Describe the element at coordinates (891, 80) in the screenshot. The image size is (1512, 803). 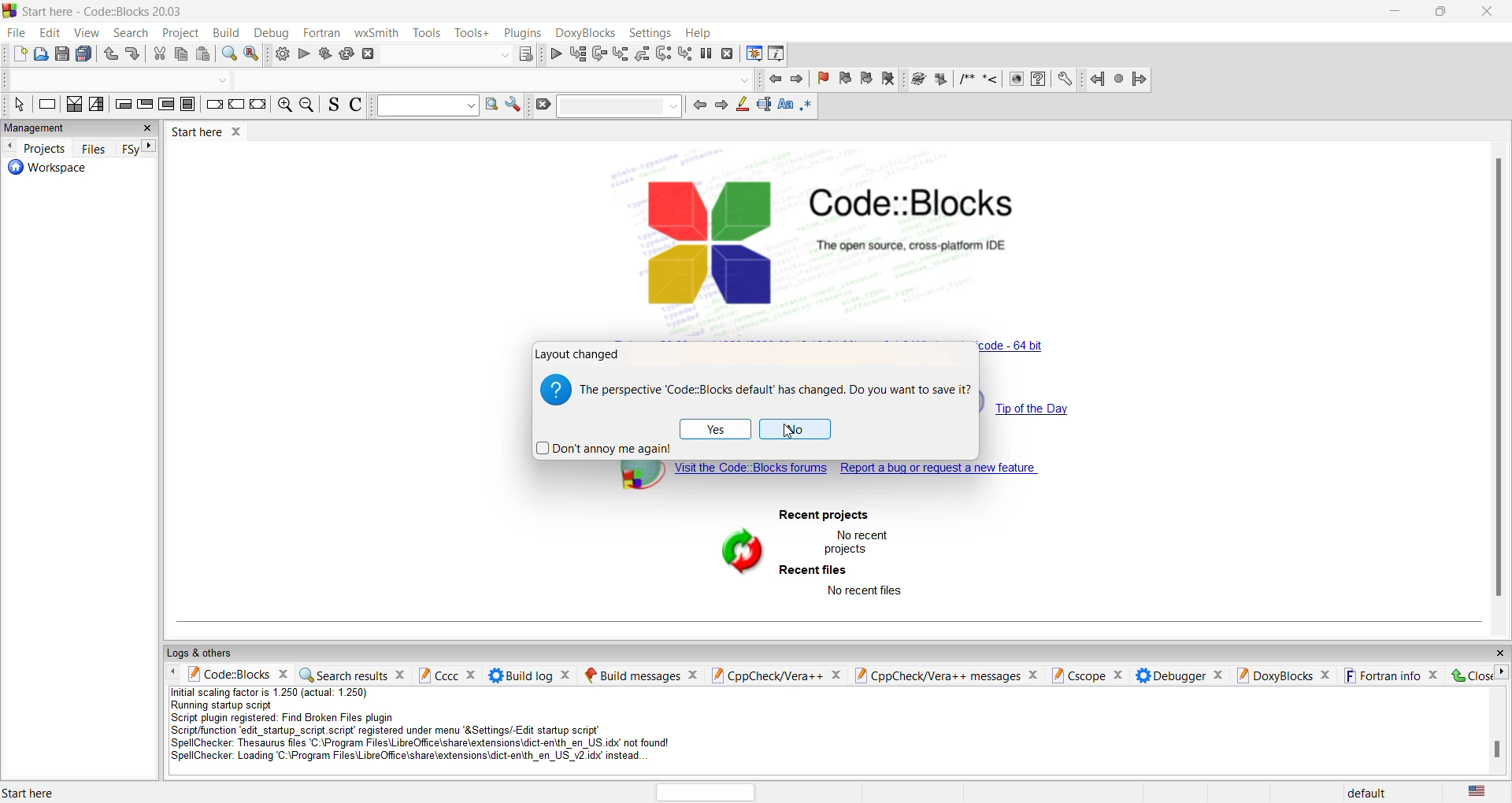
I see `remove bookmark` at that location.